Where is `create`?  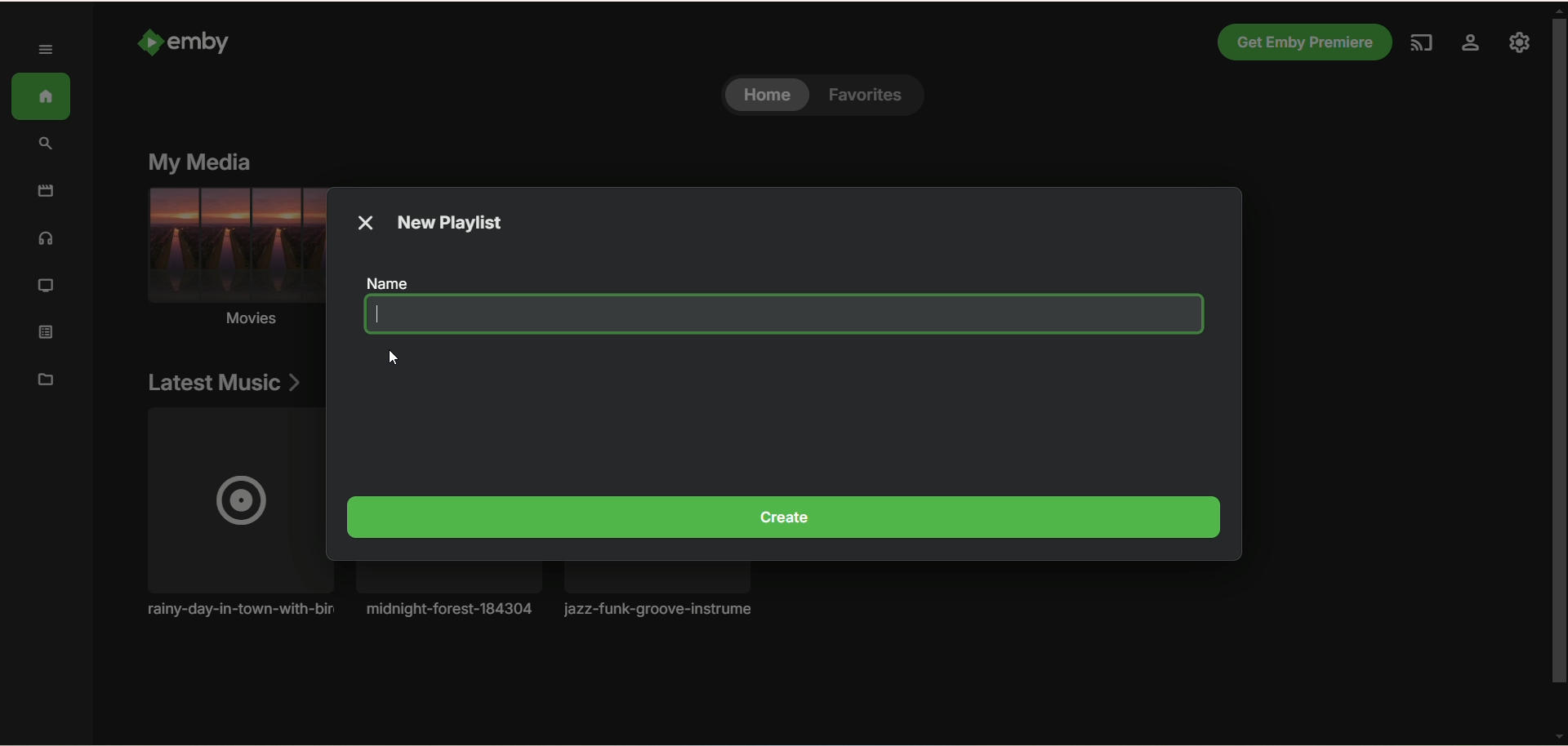 create is located at coordinates (785, 517).